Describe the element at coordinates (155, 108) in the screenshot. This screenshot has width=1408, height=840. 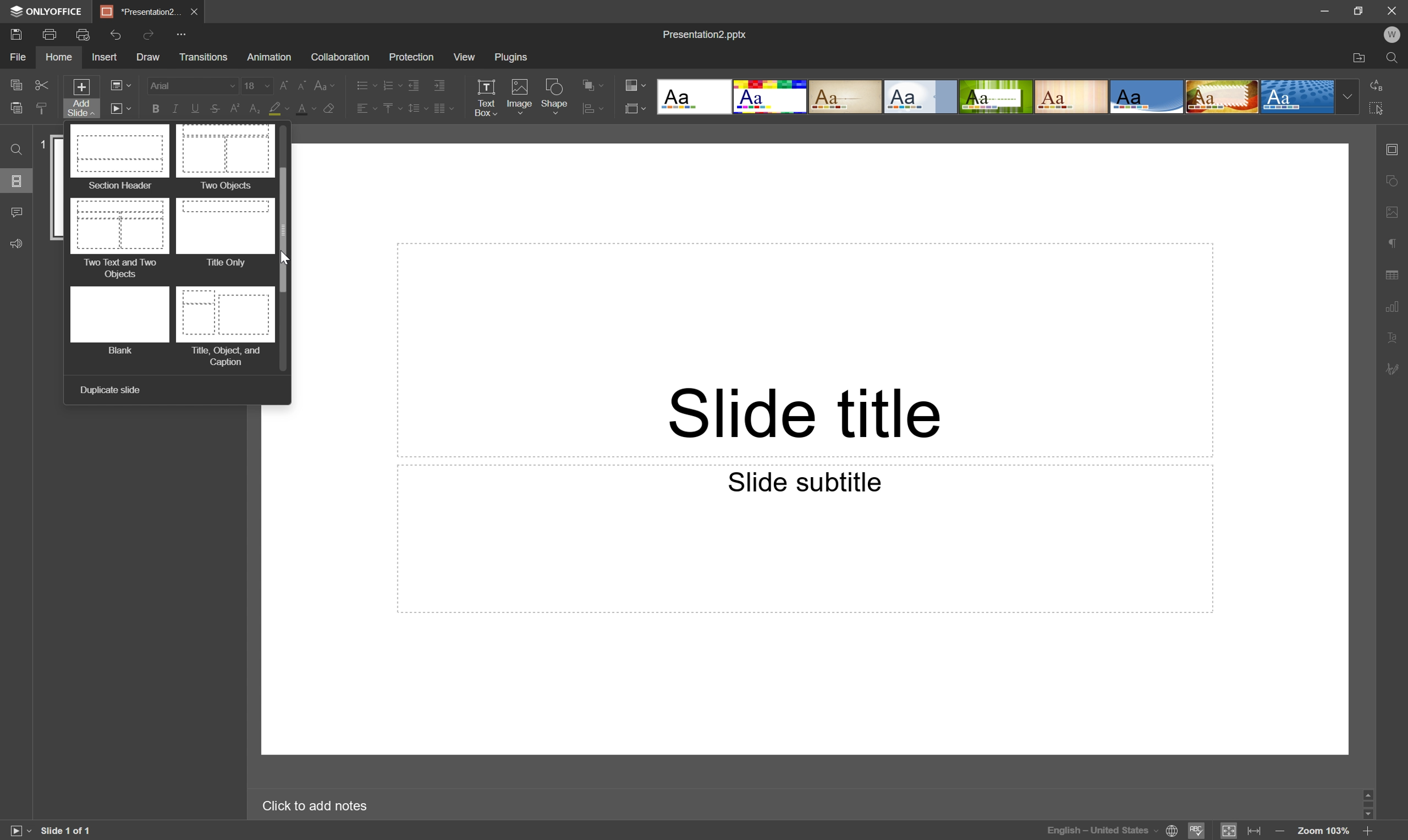
I see `Bold` at that location.